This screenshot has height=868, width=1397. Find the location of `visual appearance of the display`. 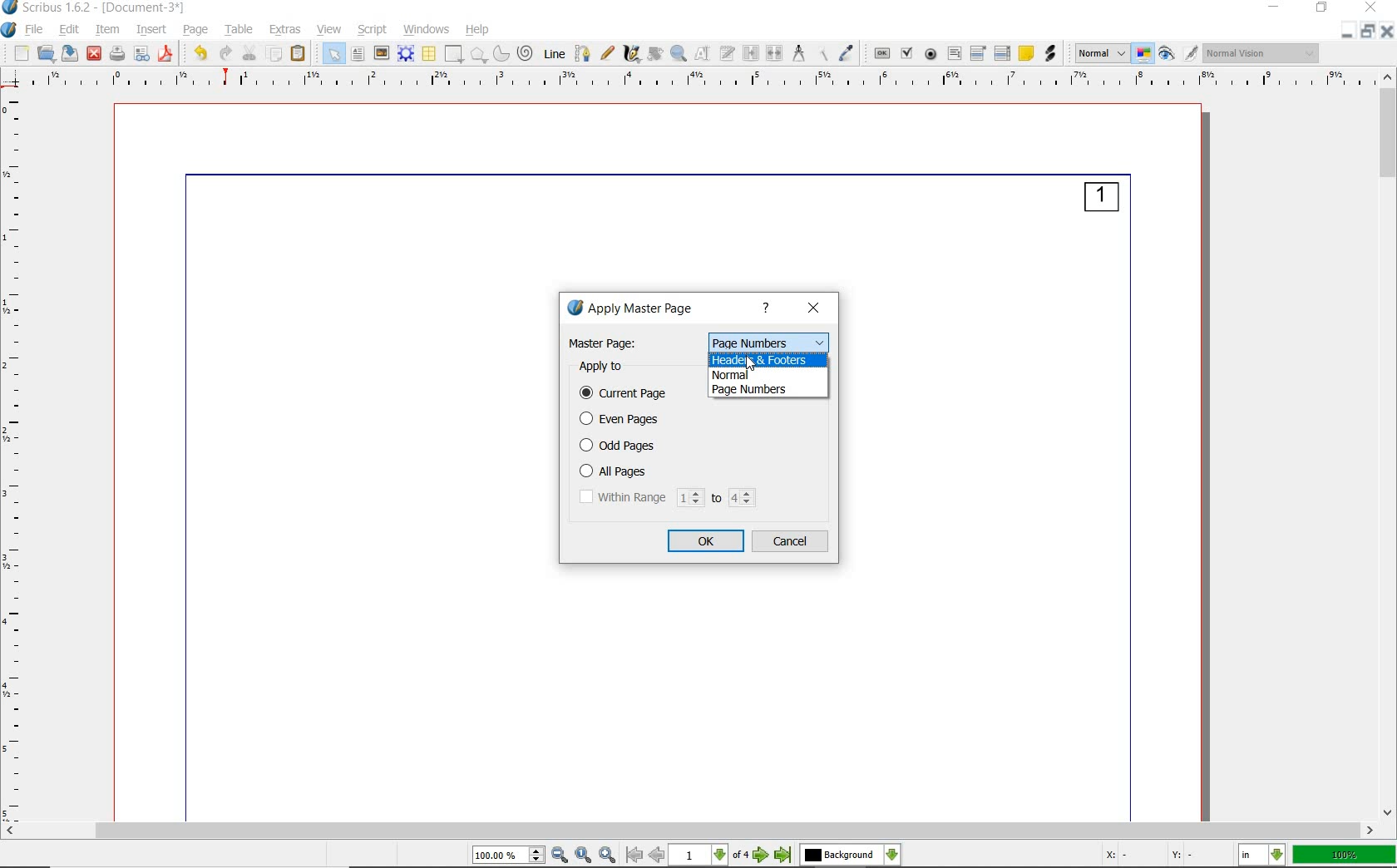

visual appearance of the display is located at coordinates (1263, 52).